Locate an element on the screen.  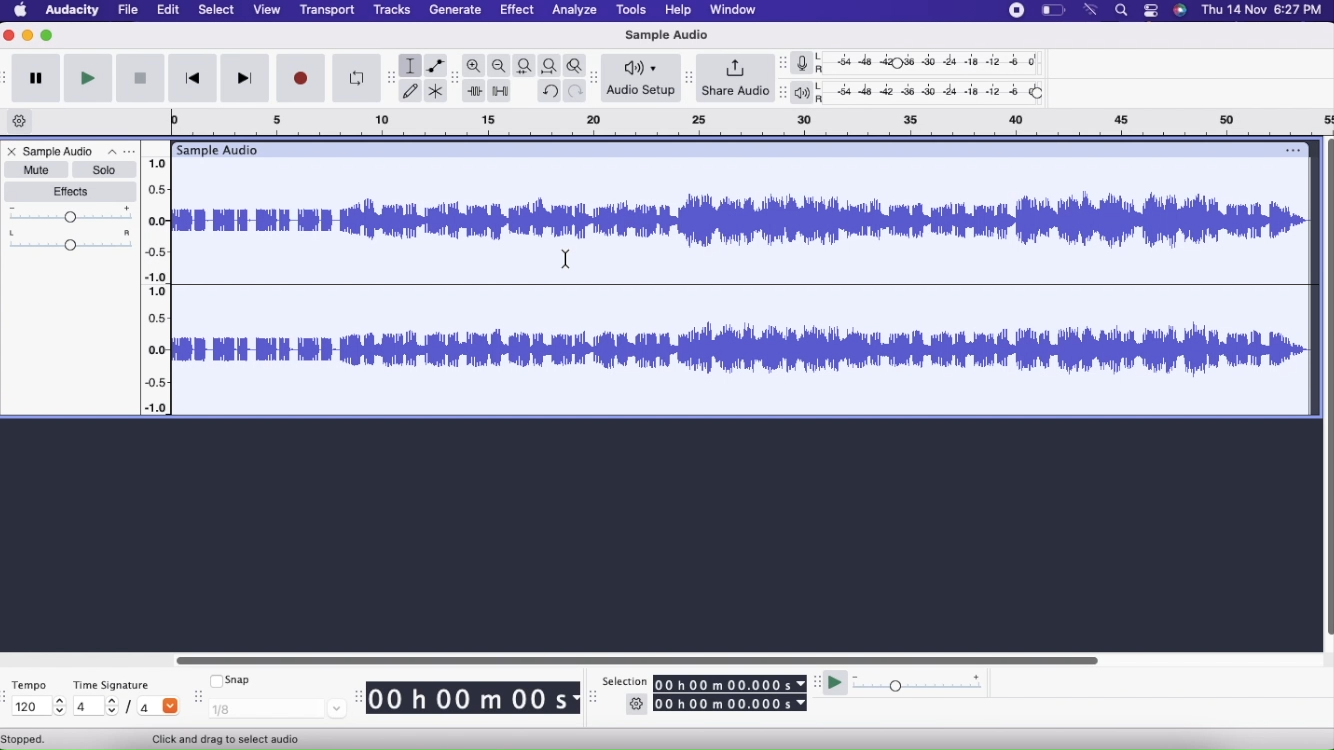
Selection is located at coordinates (626, 679).